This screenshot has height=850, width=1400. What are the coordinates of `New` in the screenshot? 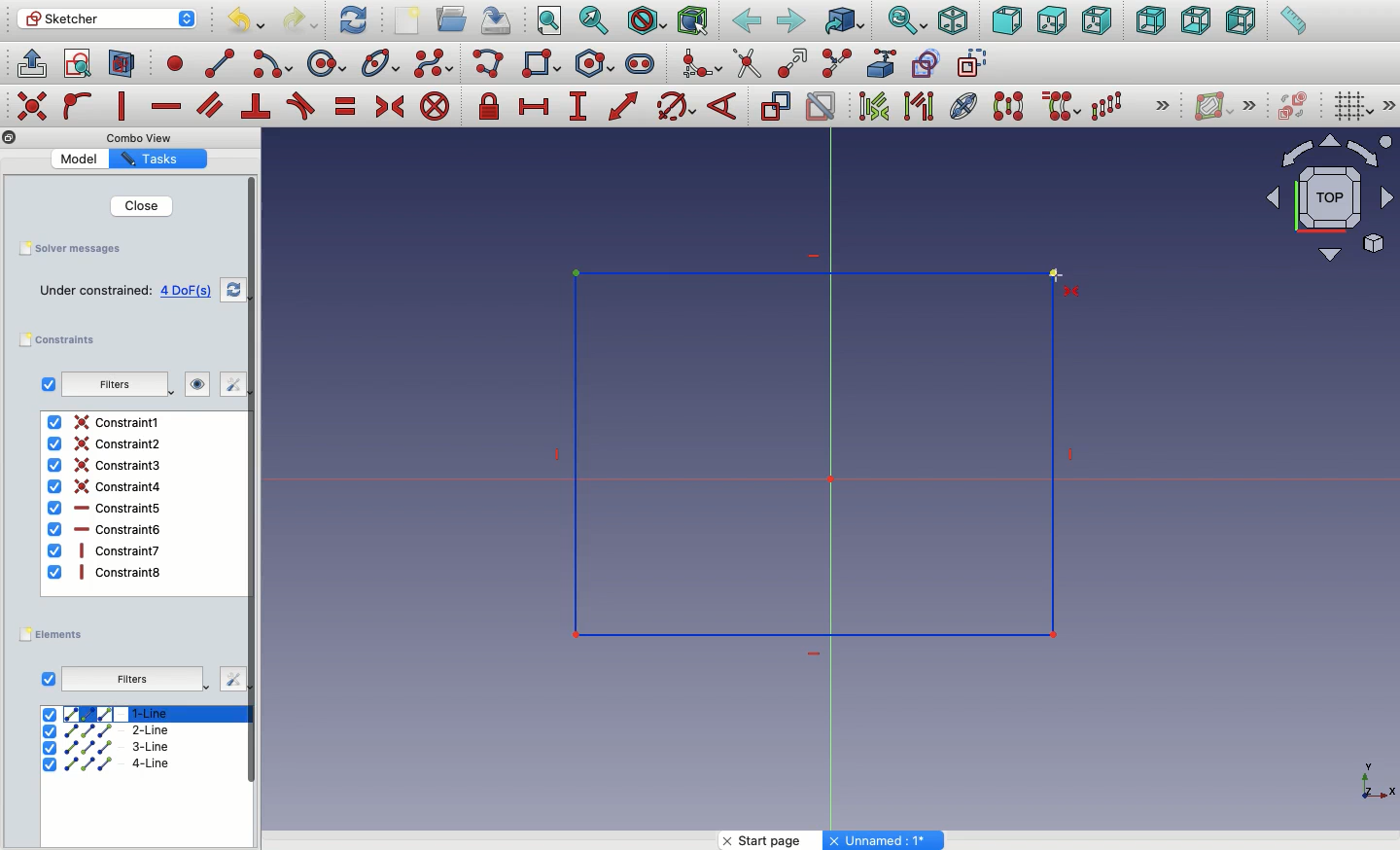 It's located at (411, 22).